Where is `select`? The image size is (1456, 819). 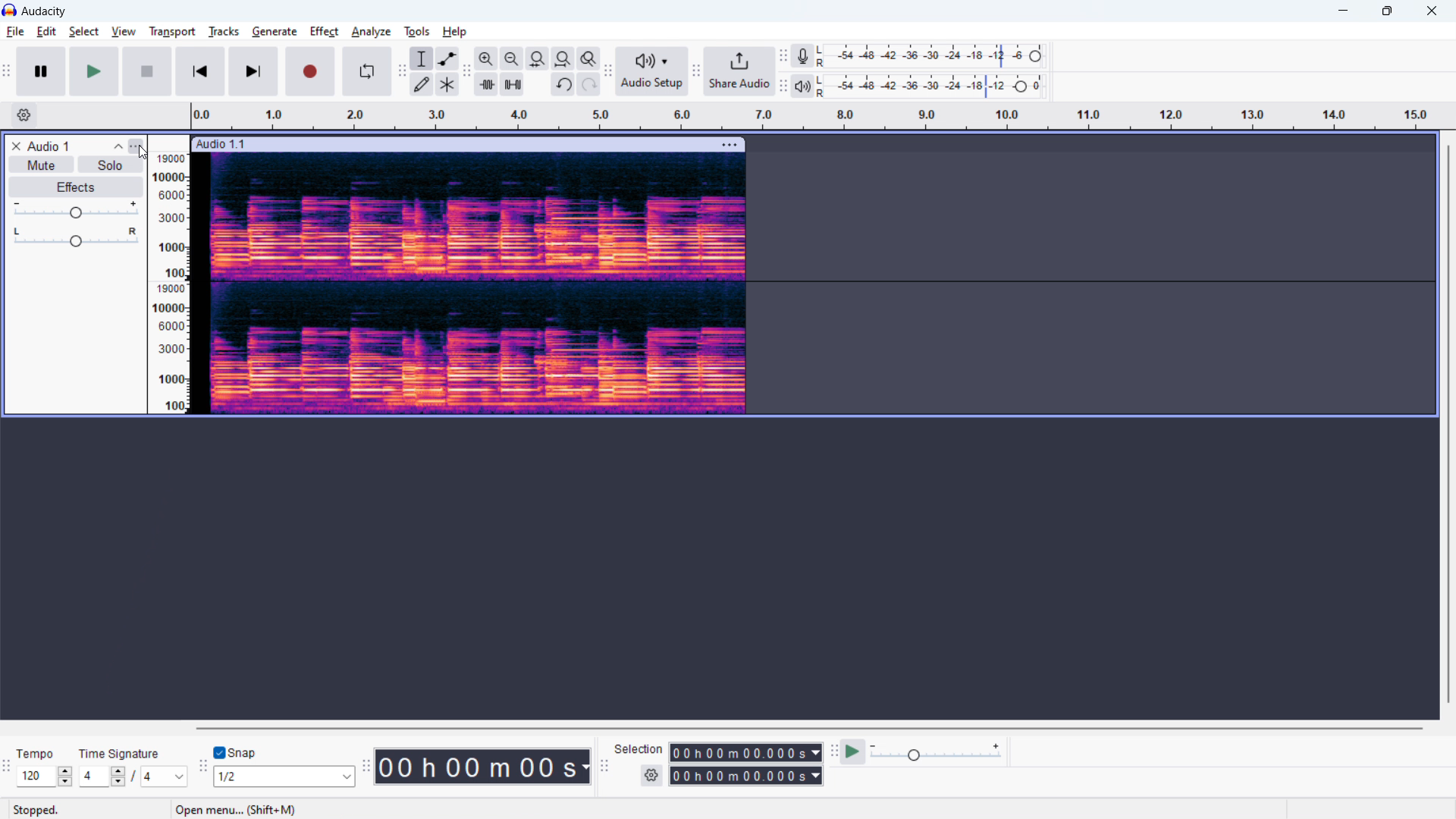 select is located at coordinates (83, 32).